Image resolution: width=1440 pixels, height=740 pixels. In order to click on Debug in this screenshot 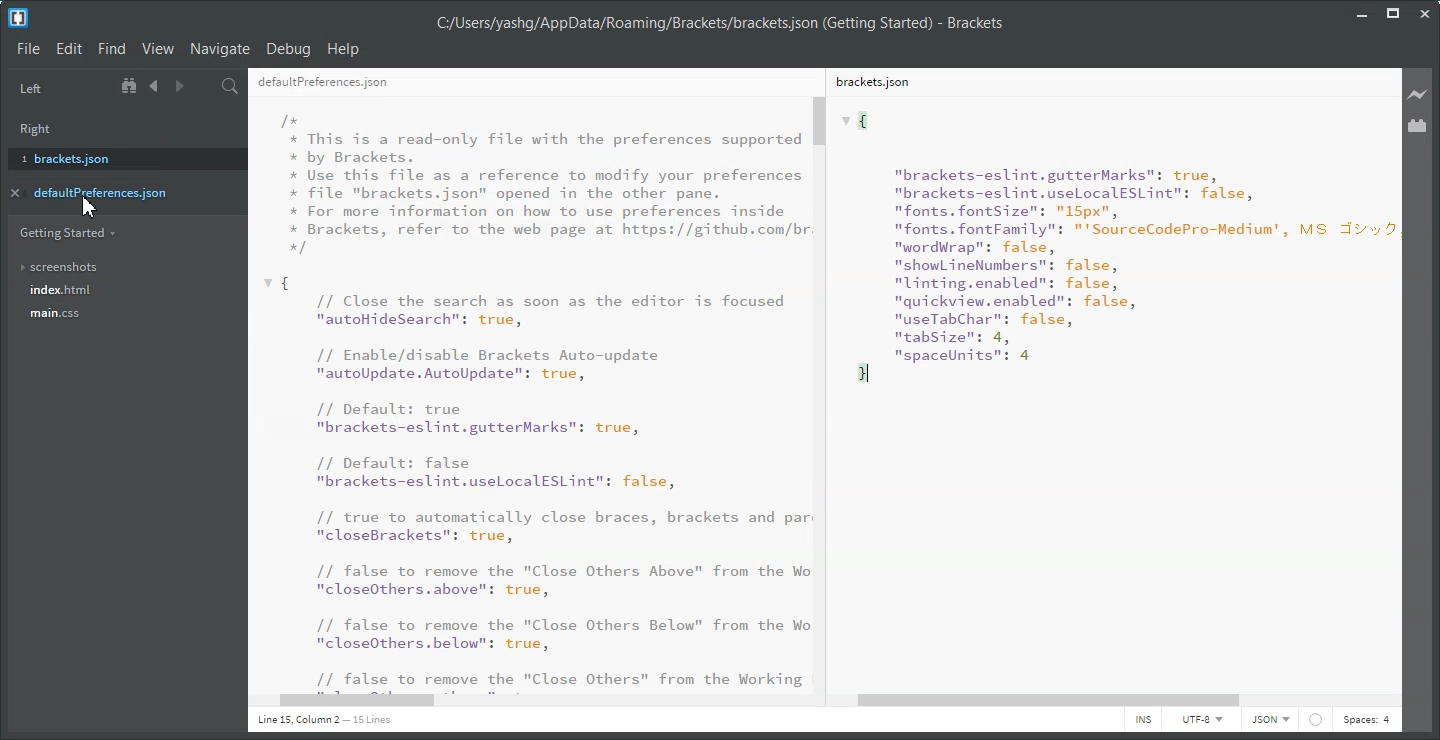, I will do `click(288, 49)`.